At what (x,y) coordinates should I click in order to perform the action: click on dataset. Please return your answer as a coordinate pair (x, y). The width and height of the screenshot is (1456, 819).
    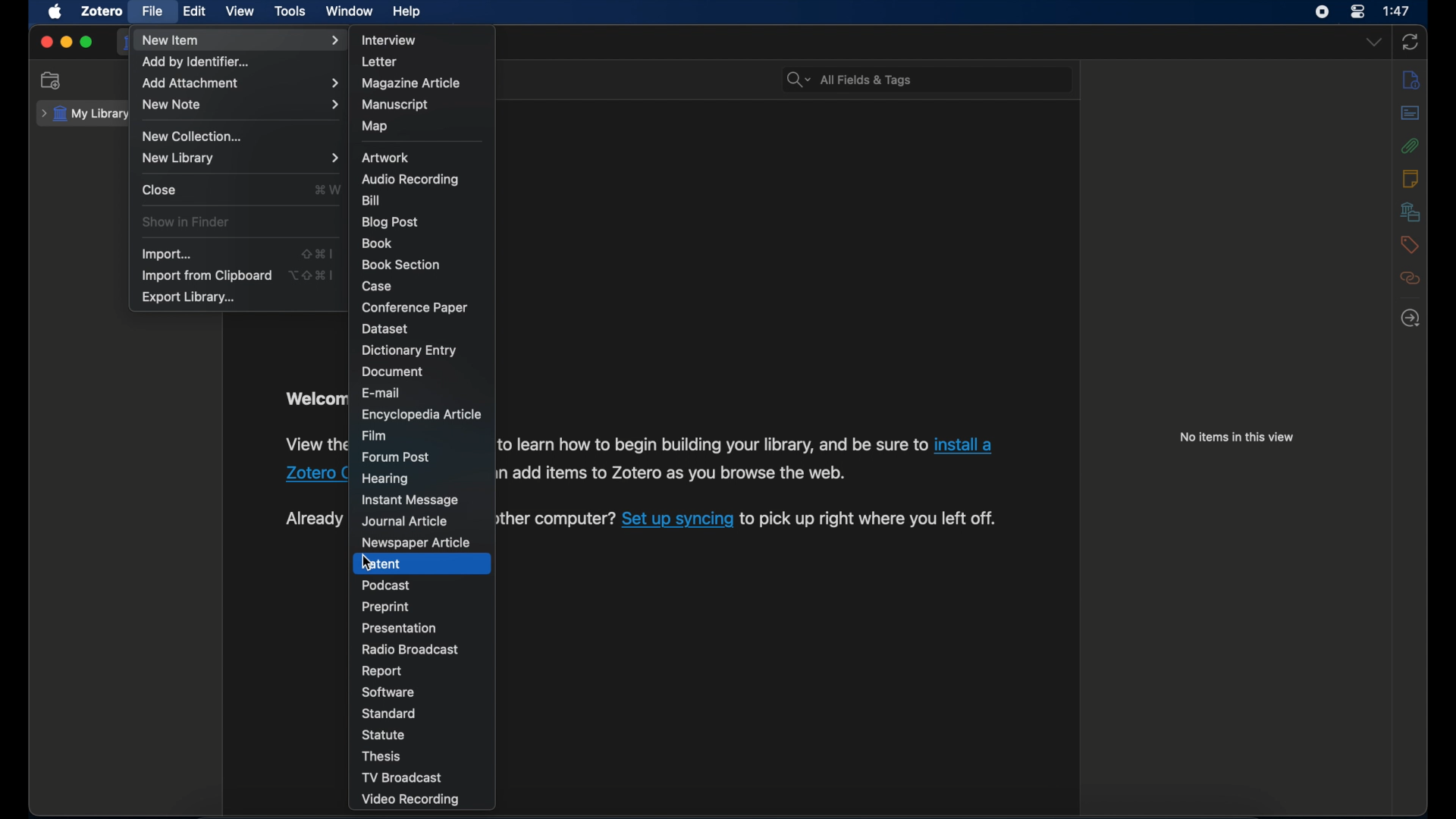
    Looking at the image, I should click on (384, 328).